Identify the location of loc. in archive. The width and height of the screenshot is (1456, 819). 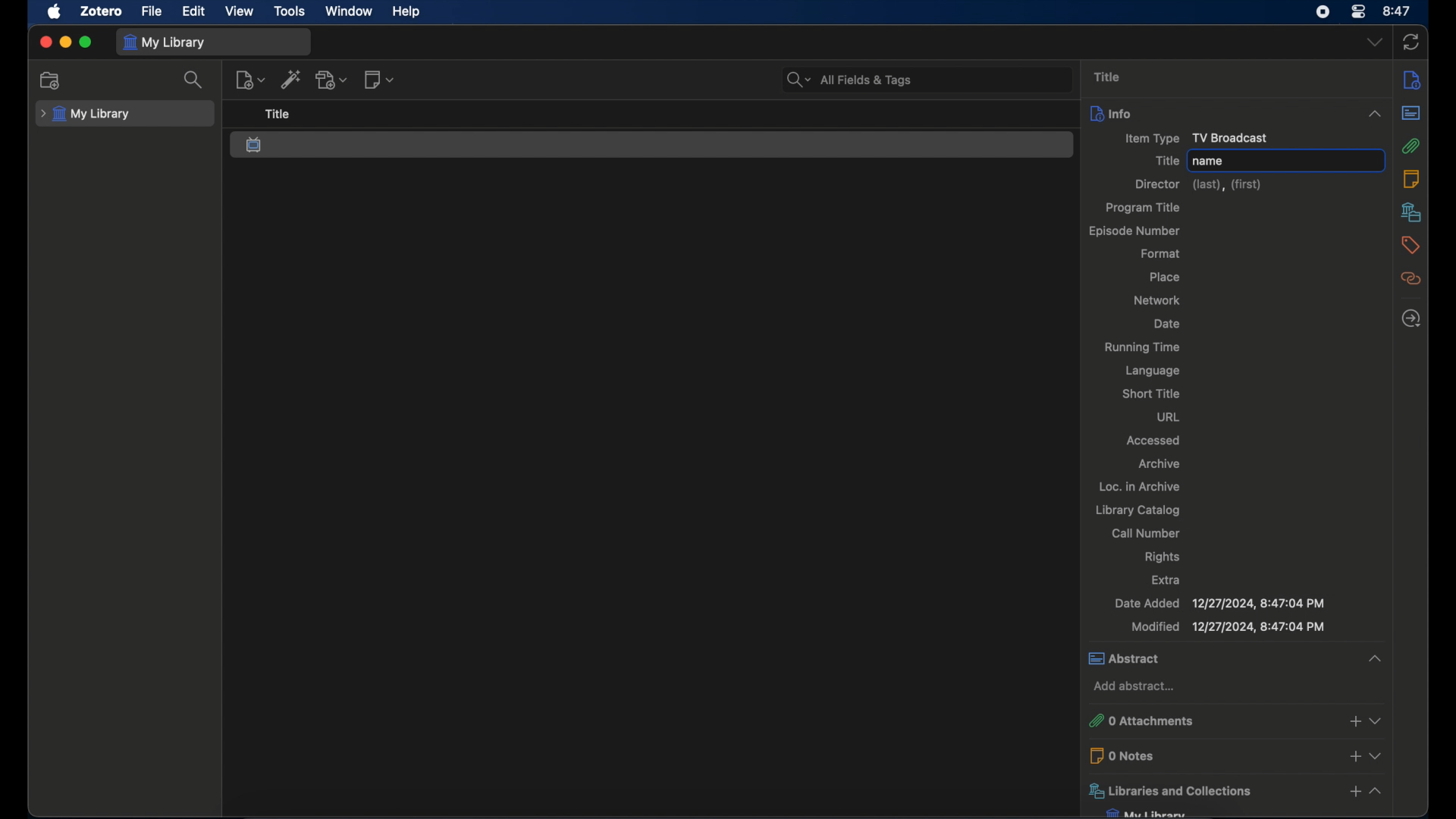
(1139, 486).